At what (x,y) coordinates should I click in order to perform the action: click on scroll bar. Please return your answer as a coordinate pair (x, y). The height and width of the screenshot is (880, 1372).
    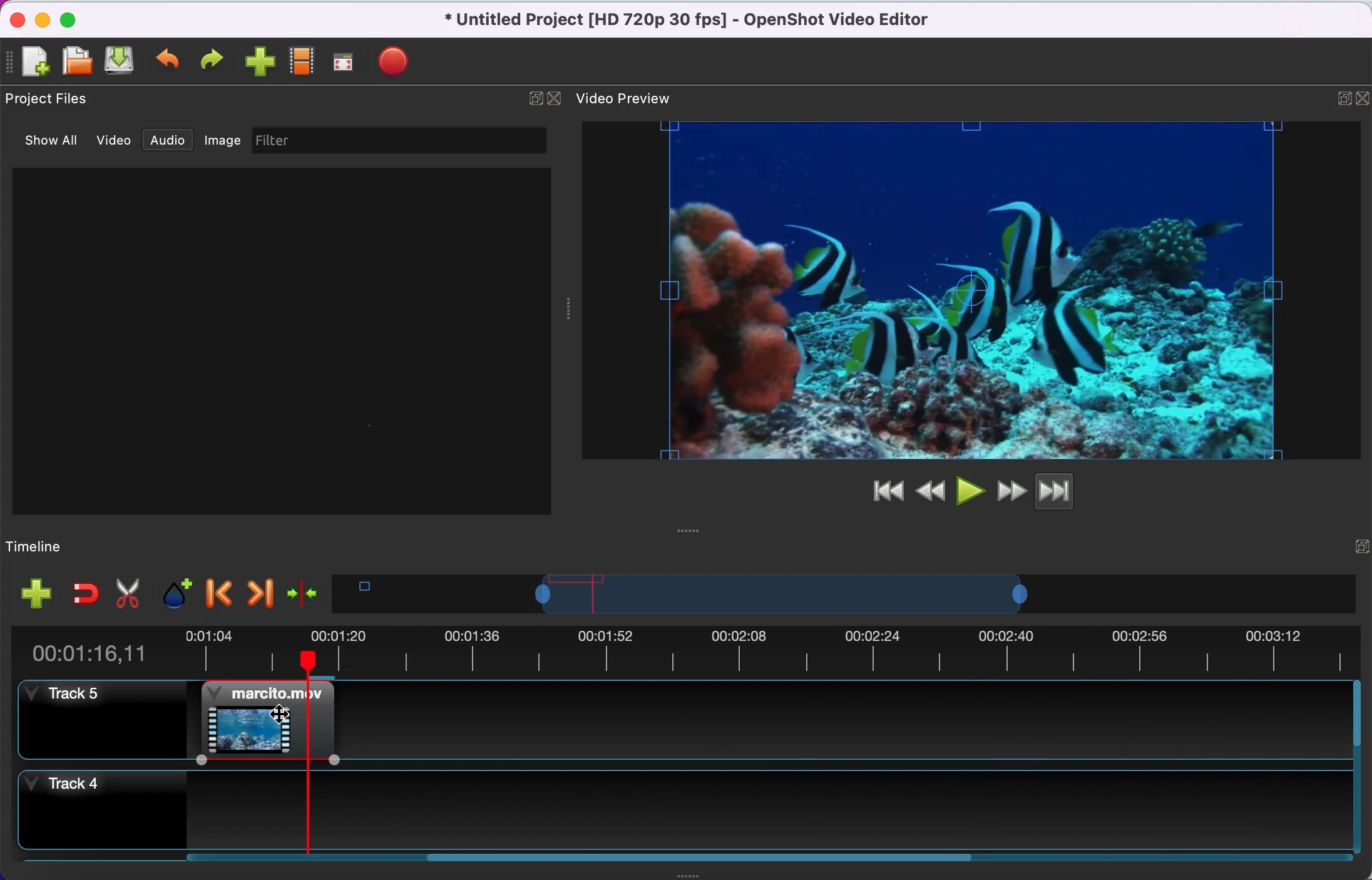
    Looking at the image, I should click on (691, 862).